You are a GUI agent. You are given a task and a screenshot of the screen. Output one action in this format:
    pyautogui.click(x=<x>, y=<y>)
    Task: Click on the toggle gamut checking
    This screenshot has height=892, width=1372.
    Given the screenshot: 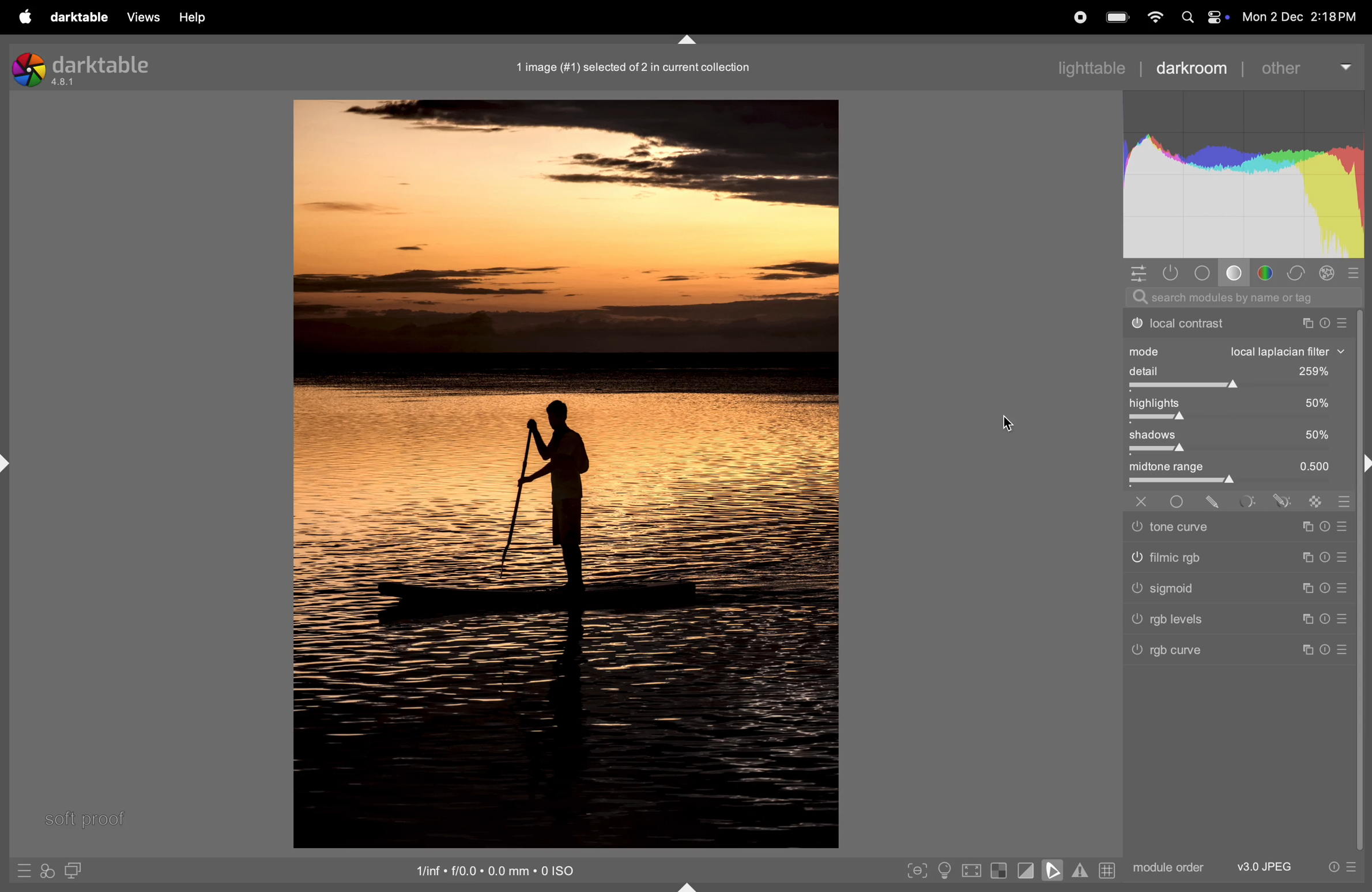 What is the action you would take?
    pyautogui.click(x=1080, y=872)
    